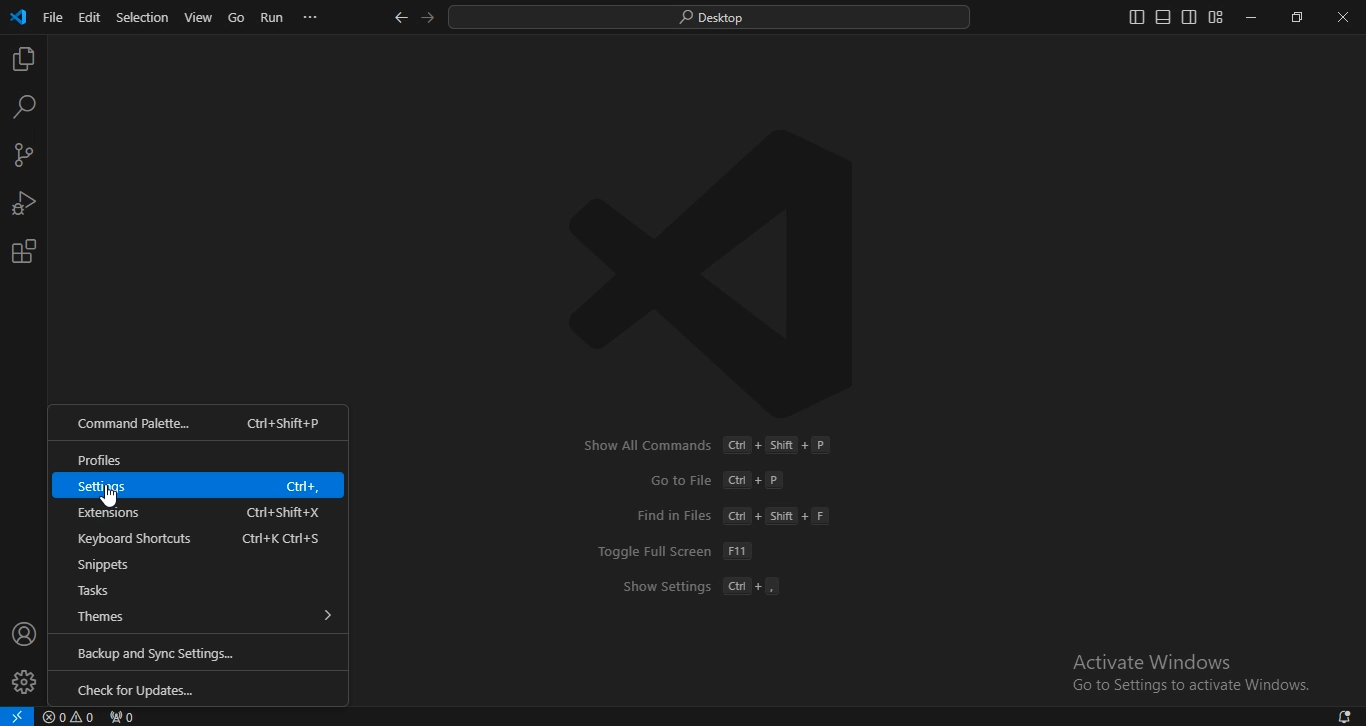 Image resolution: width=1366 pixels, height=726 pixels. What do you see at coordinates (1162, 17) in the screenshot?
I see `toggle panel` at bounding box center [1162, 17].